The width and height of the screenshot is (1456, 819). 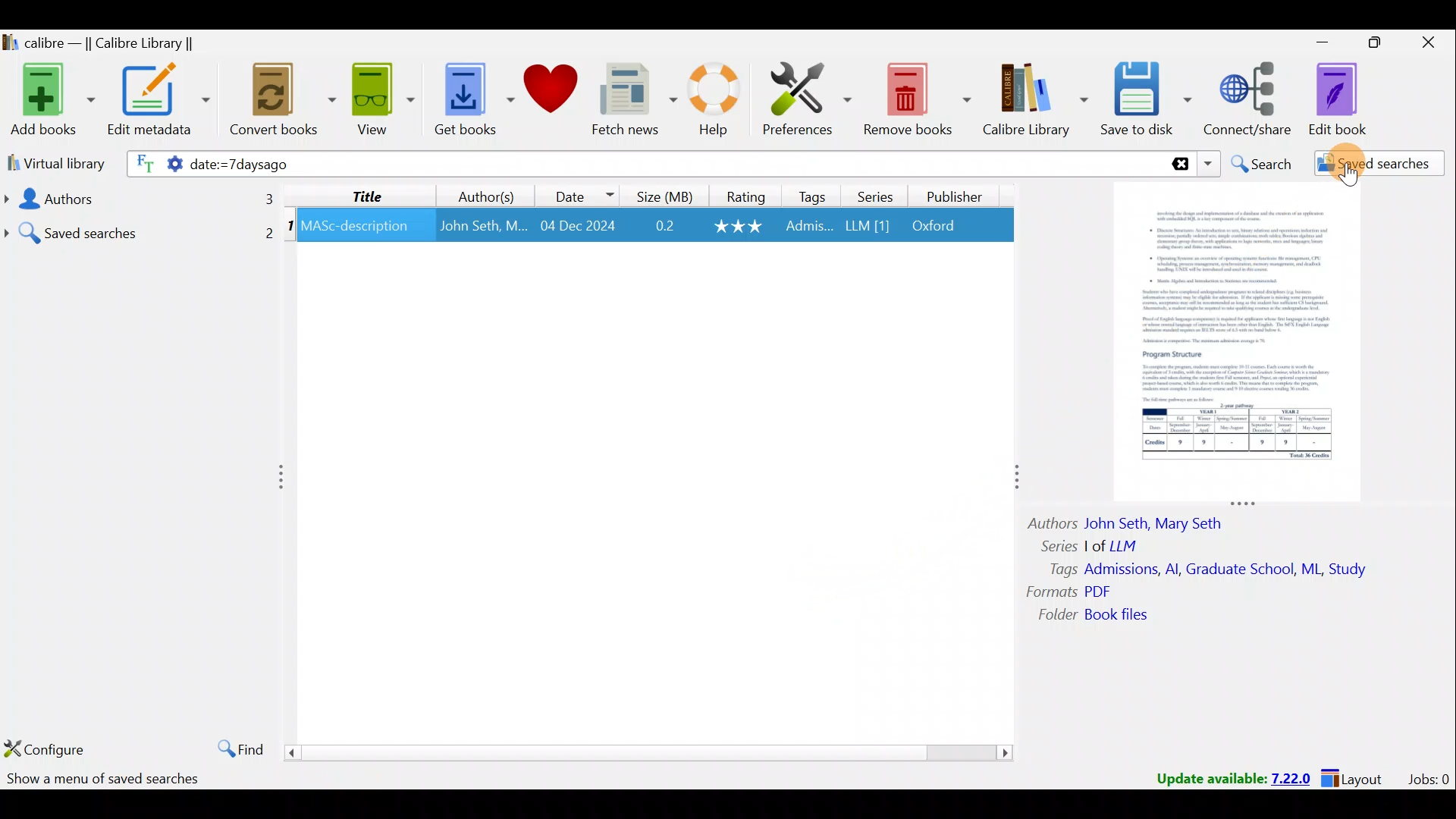 What do you see at coordinates (665, 227) in the screenshot?
I see `0.2` at bounding box center [665, 227].